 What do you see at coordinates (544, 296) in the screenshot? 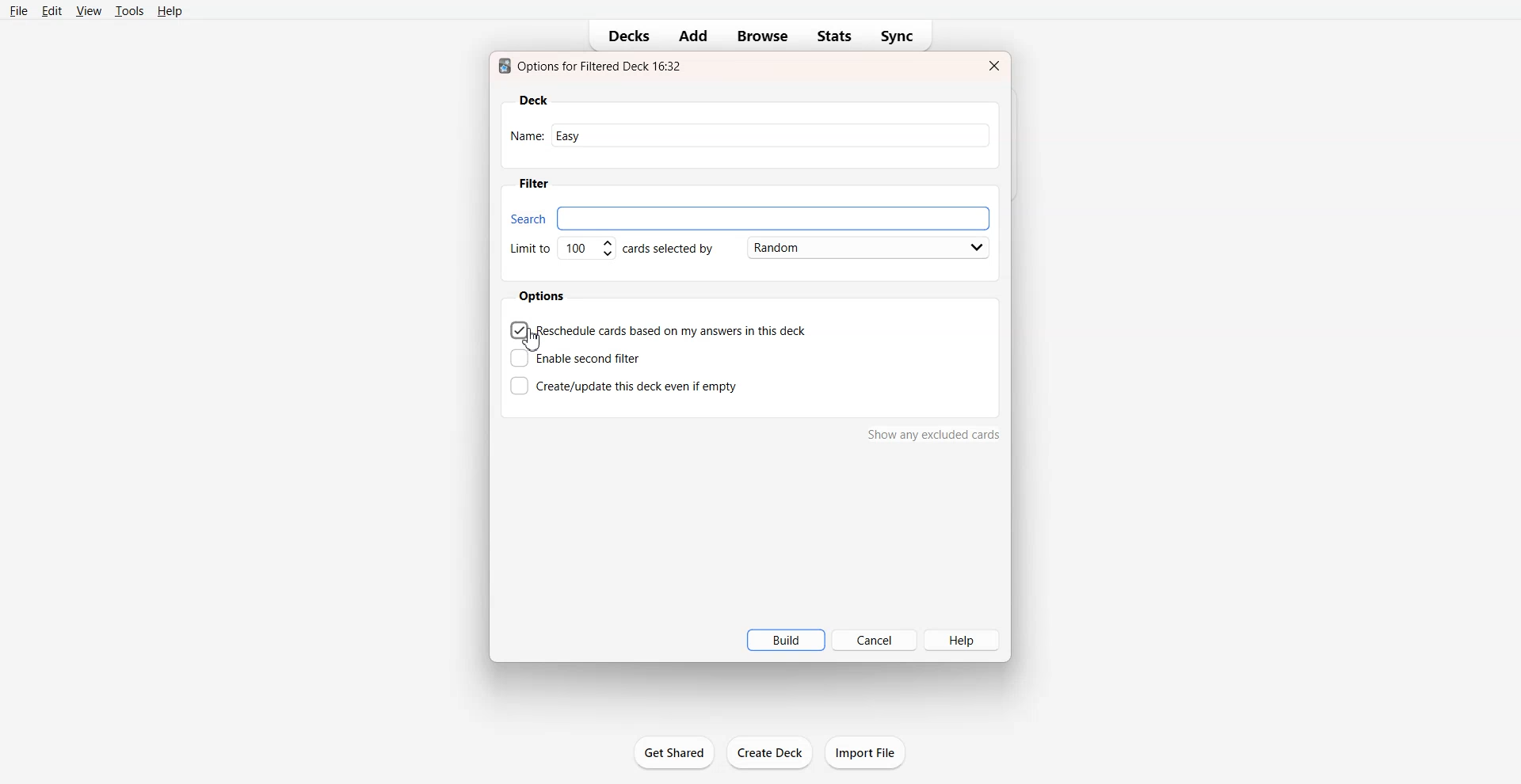
I see `Options` at bounding box center [544, 296].